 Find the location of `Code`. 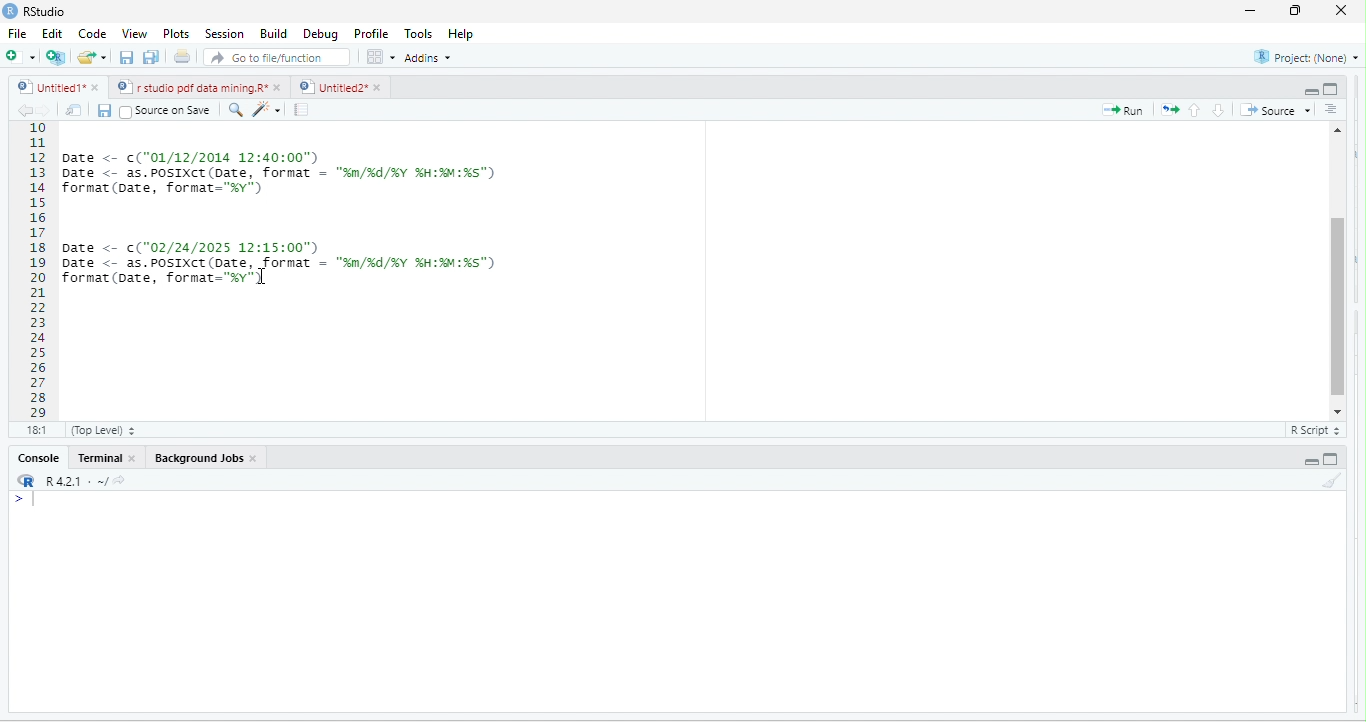

Code is located at coordinates (91, 35).